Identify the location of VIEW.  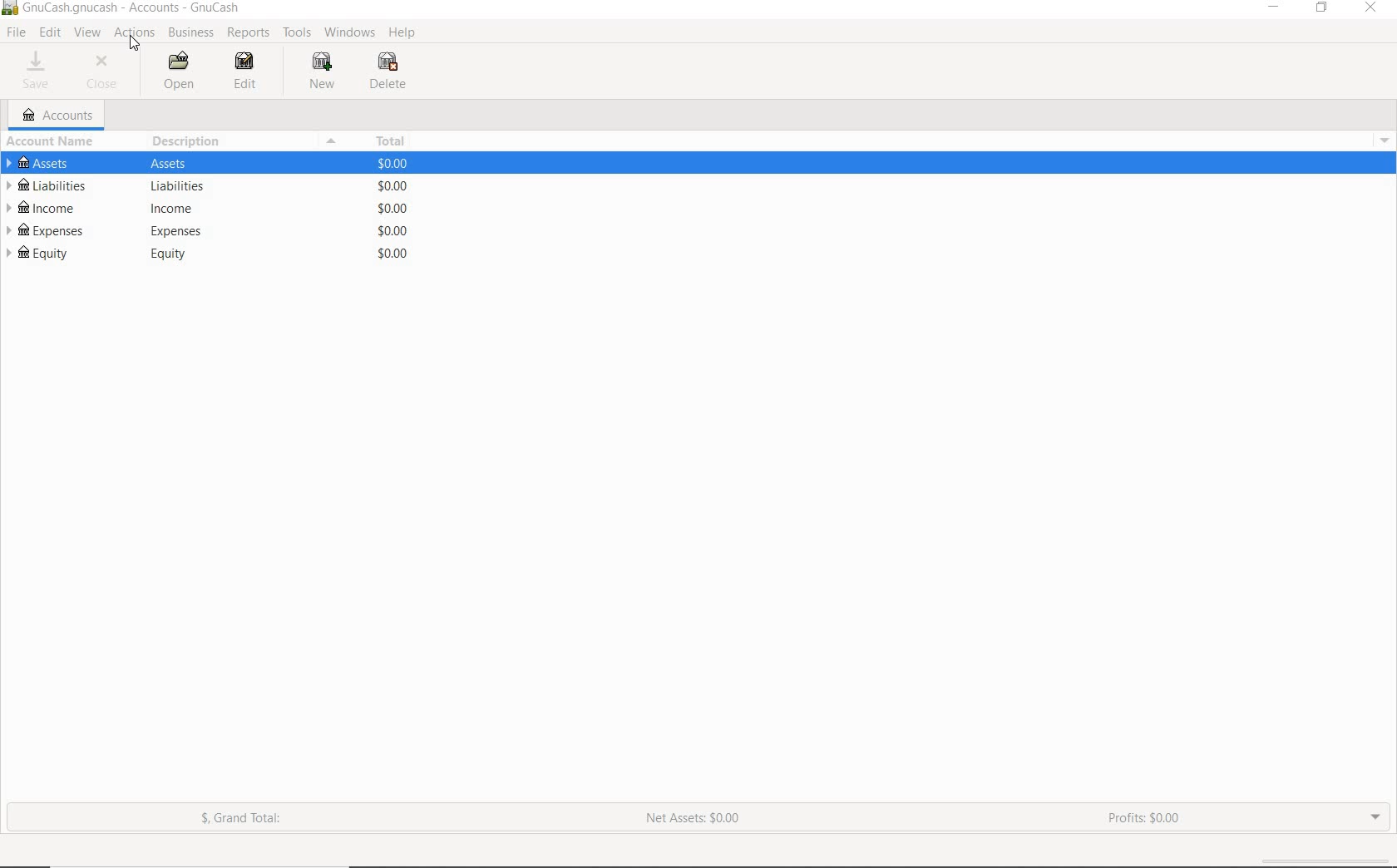
(87, 33).